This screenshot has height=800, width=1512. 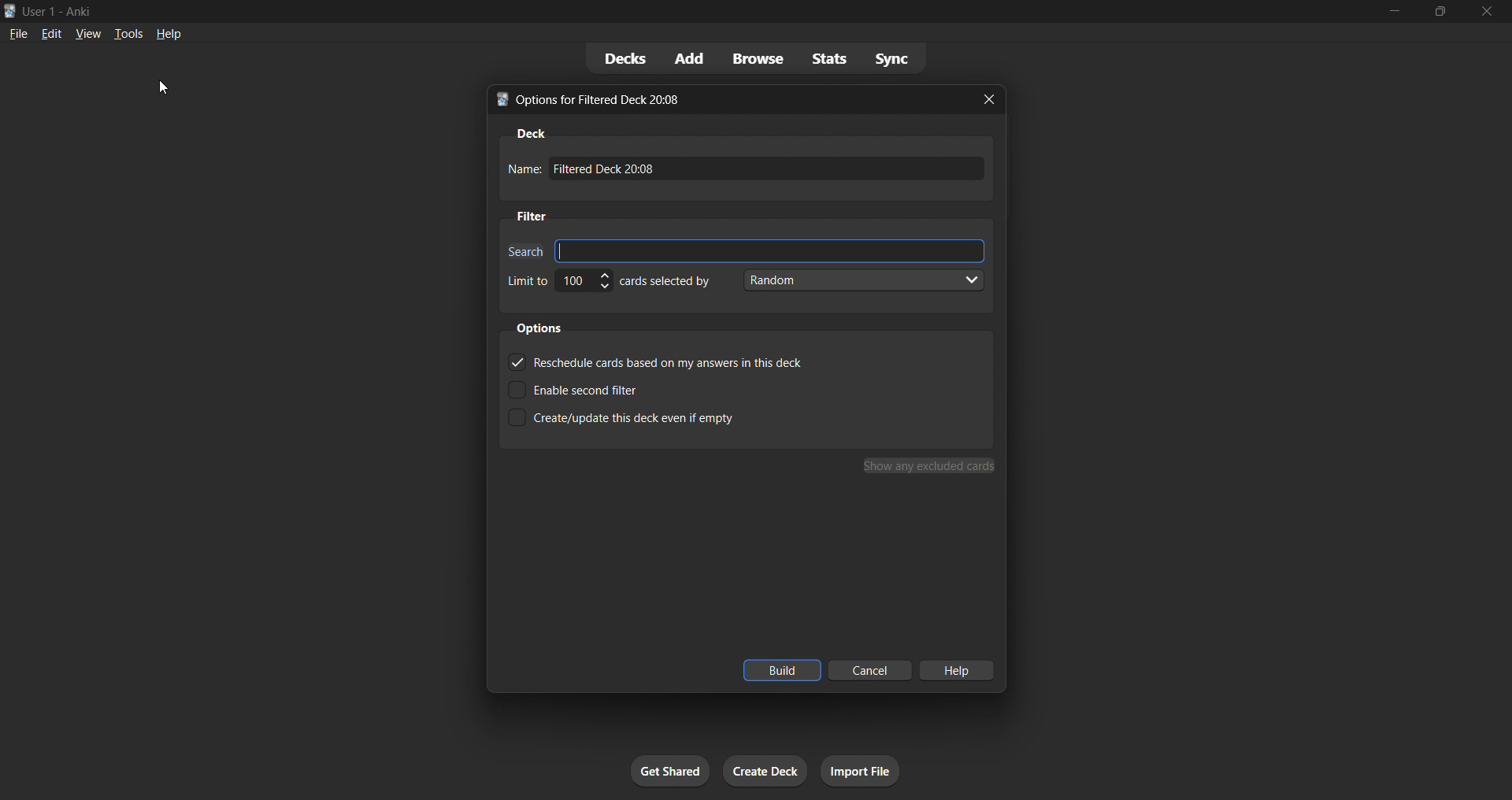 I want to click on (un)check enable/disable second filter, so click(x=676, y=390).